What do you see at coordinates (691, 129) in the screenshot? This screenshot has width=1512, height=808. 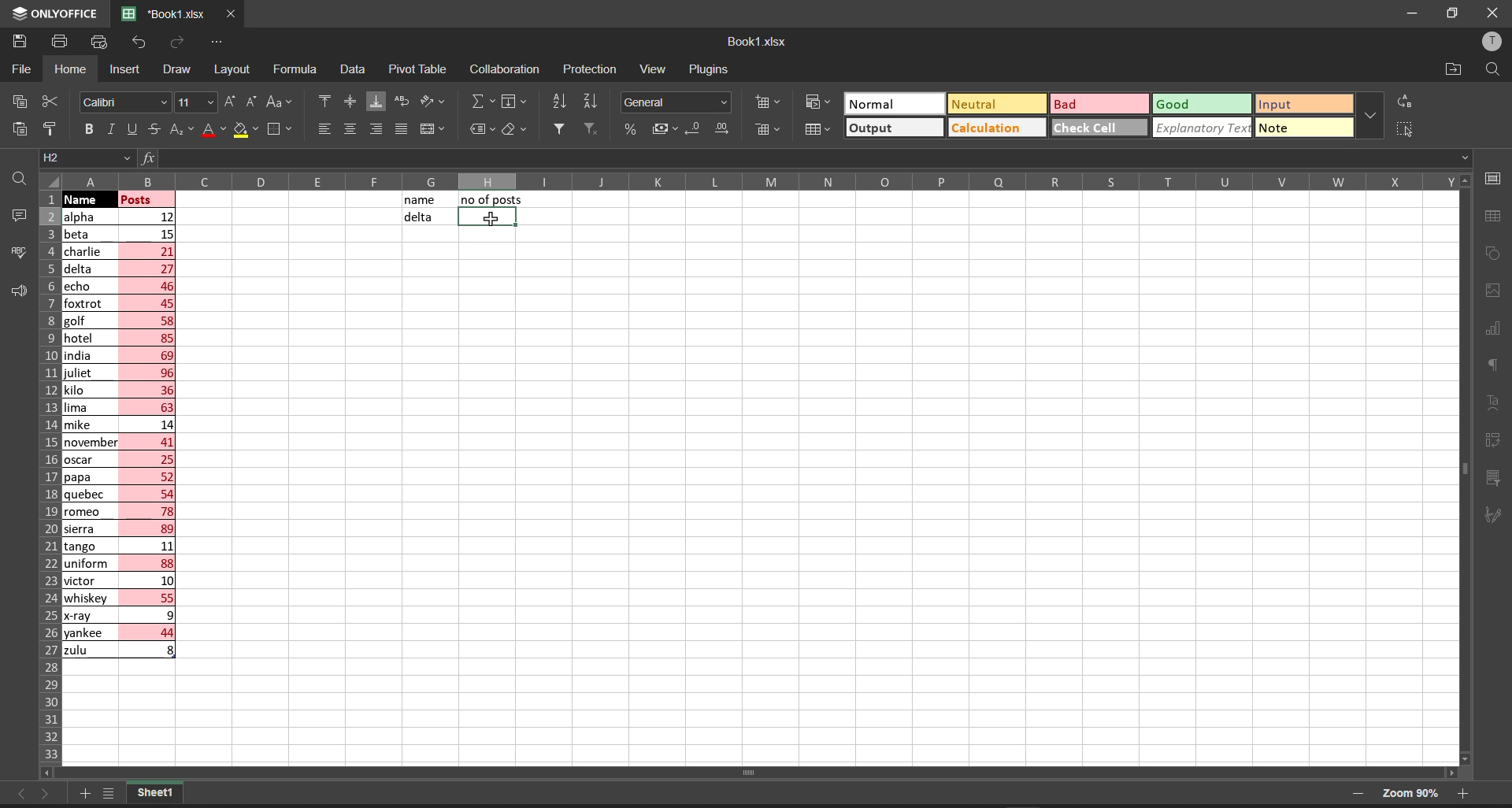 I see `decrease decimal` at bounding box center [691, 129].